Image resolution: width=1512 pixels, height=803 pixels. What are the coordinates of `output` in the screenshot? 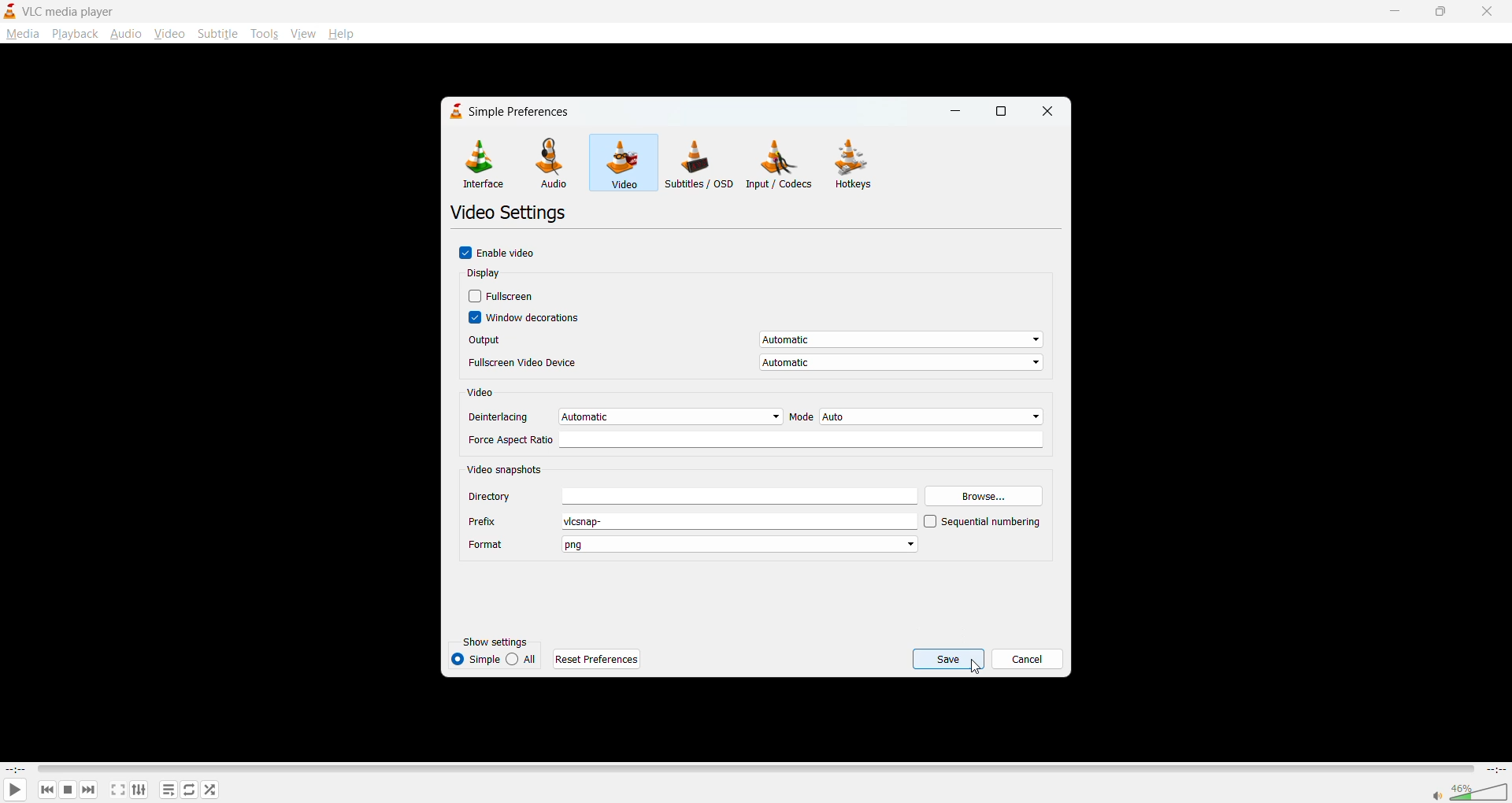 It's located at (753, 342).